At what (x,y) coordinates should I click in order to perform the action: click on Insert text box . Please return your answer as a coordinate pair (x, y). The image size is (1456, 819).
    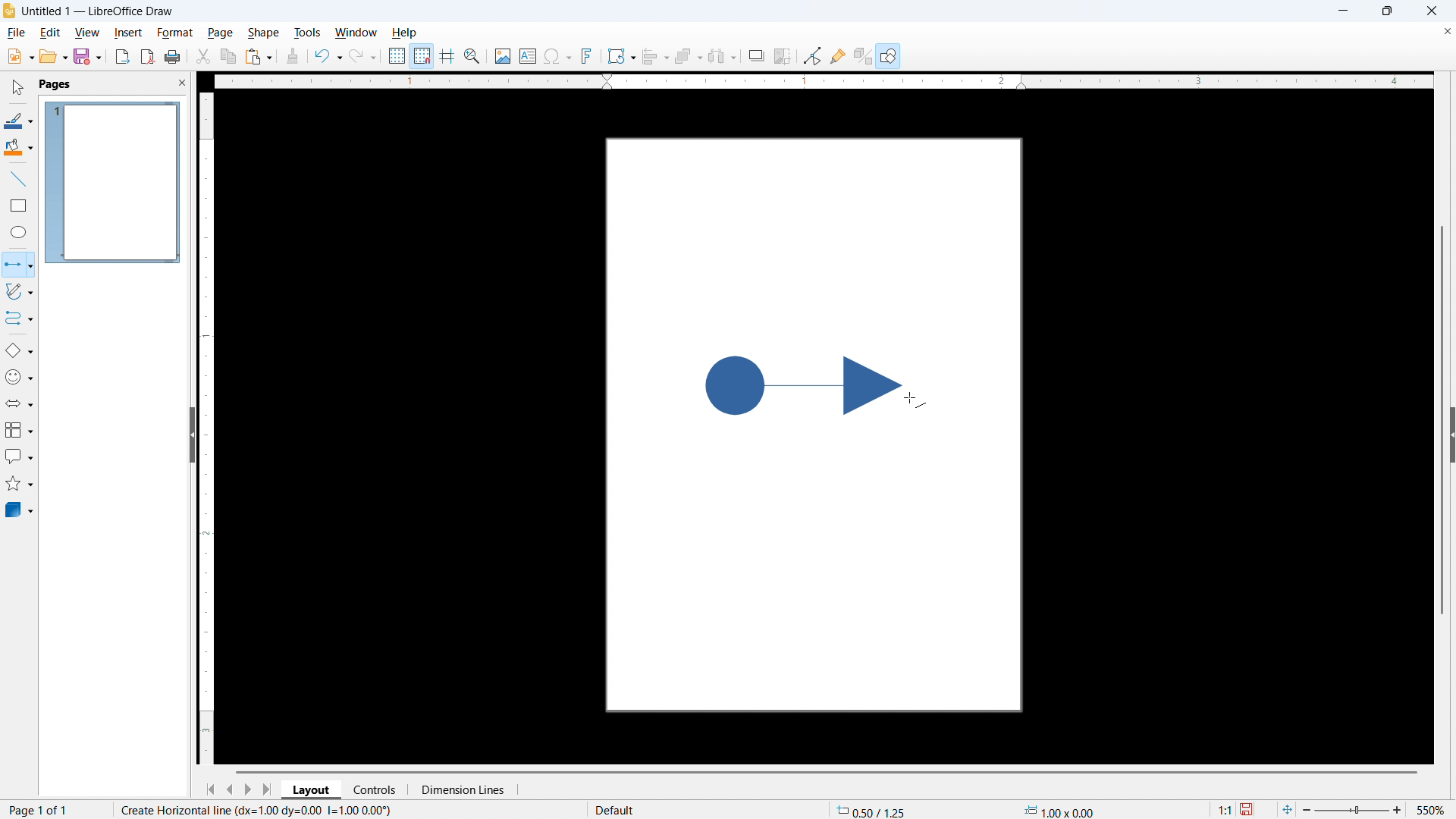
    Looking at the image, I should click on (529, 55).